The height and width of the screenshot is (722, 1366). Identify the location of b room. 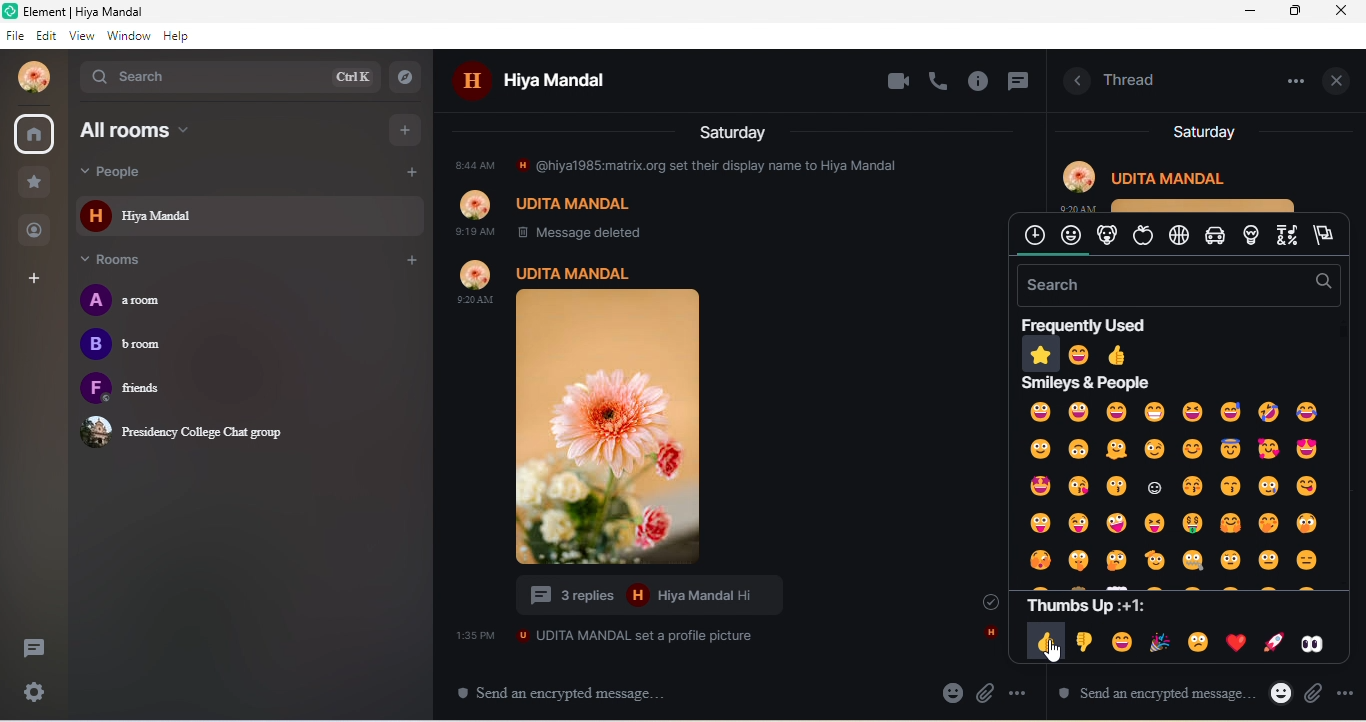
(129, 347).